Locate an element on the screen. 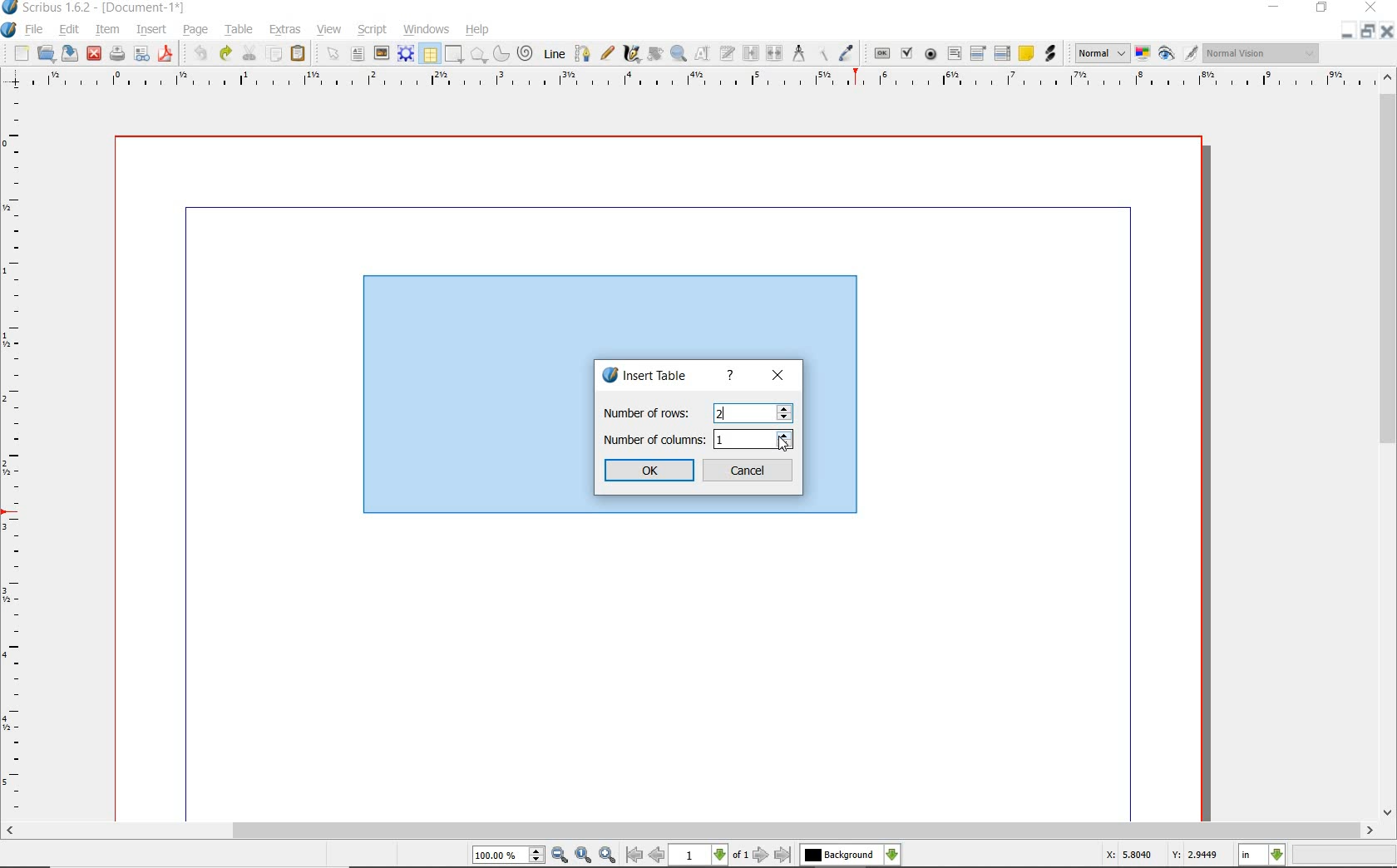 This screenshot has height=868, width=1397. go to previous page is located at coordinates (656, 856).